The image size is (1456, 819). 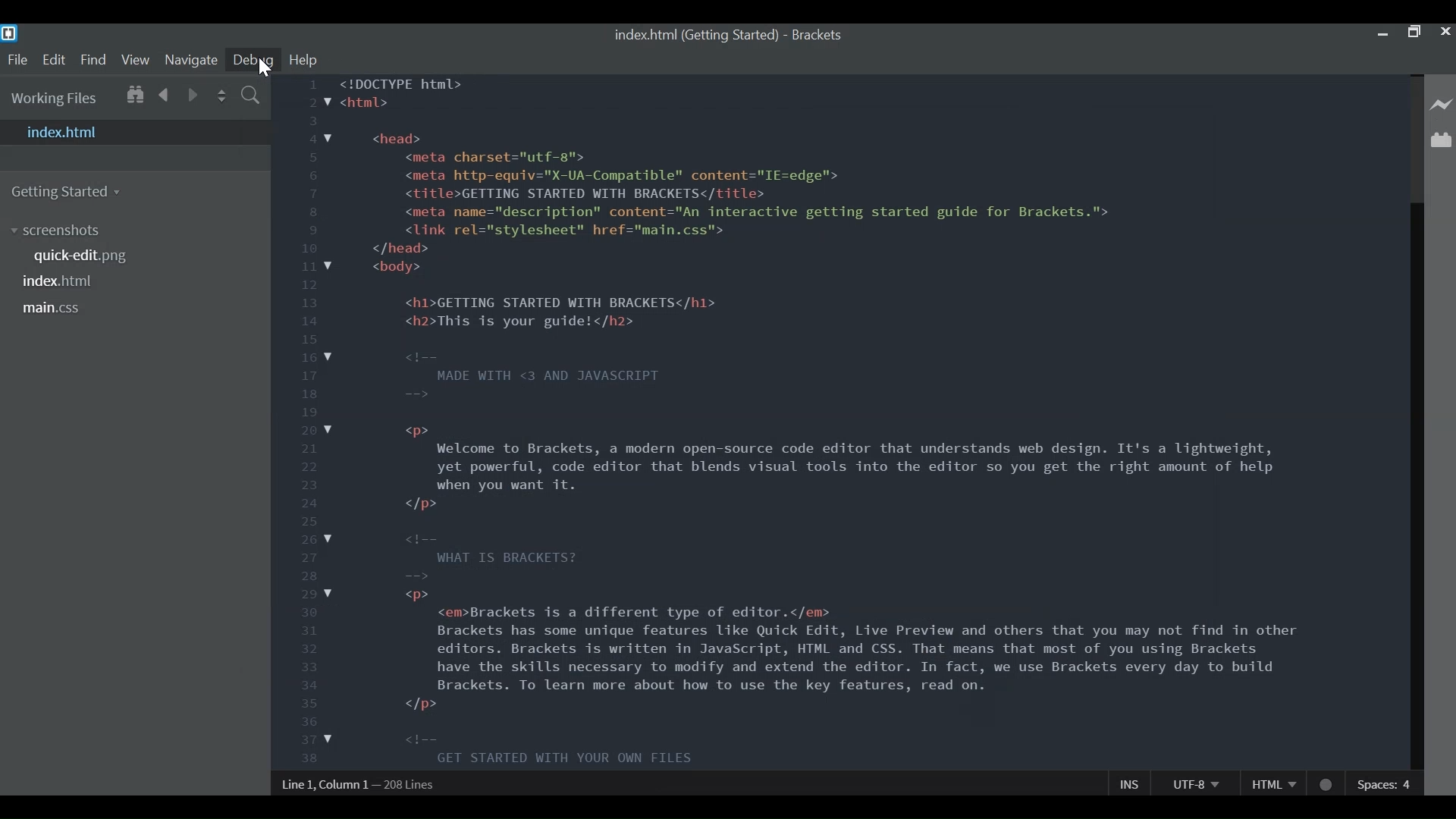 I want to click on main.css, so click(x=55, y=309).